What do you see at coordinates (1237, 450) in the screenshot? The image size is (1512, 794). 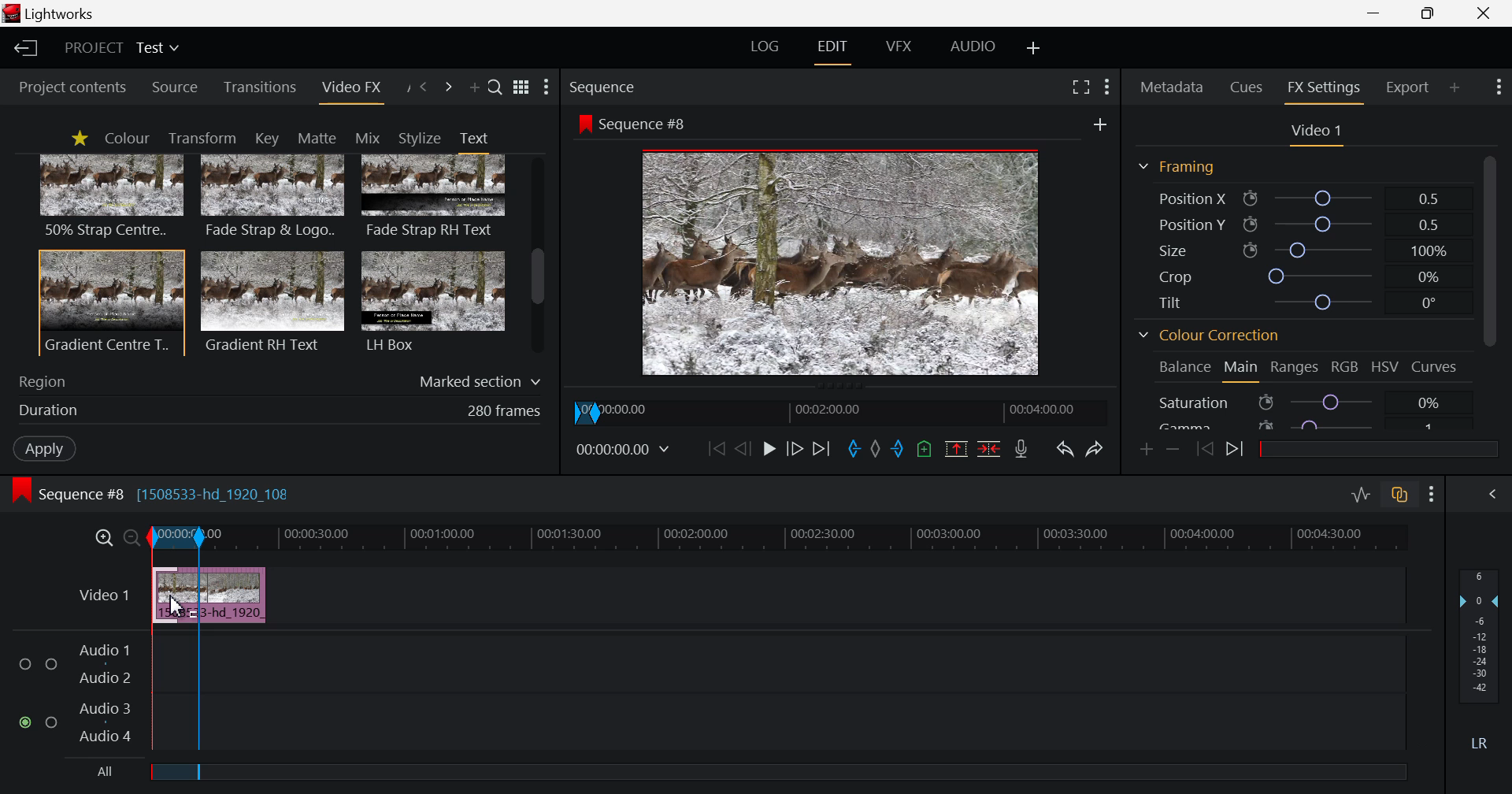 I see `Next keyframe` at bounding box center [1237, 450].